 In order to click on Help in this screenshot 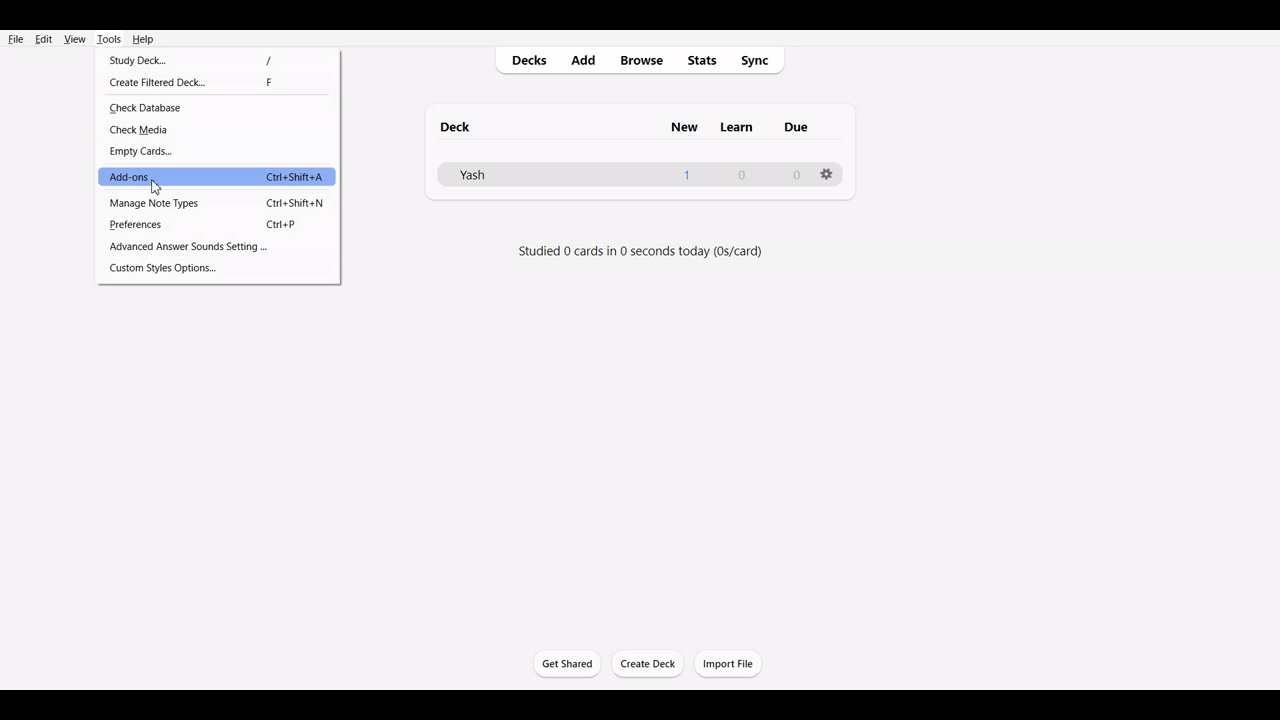, I will do `click(142, 39)`.